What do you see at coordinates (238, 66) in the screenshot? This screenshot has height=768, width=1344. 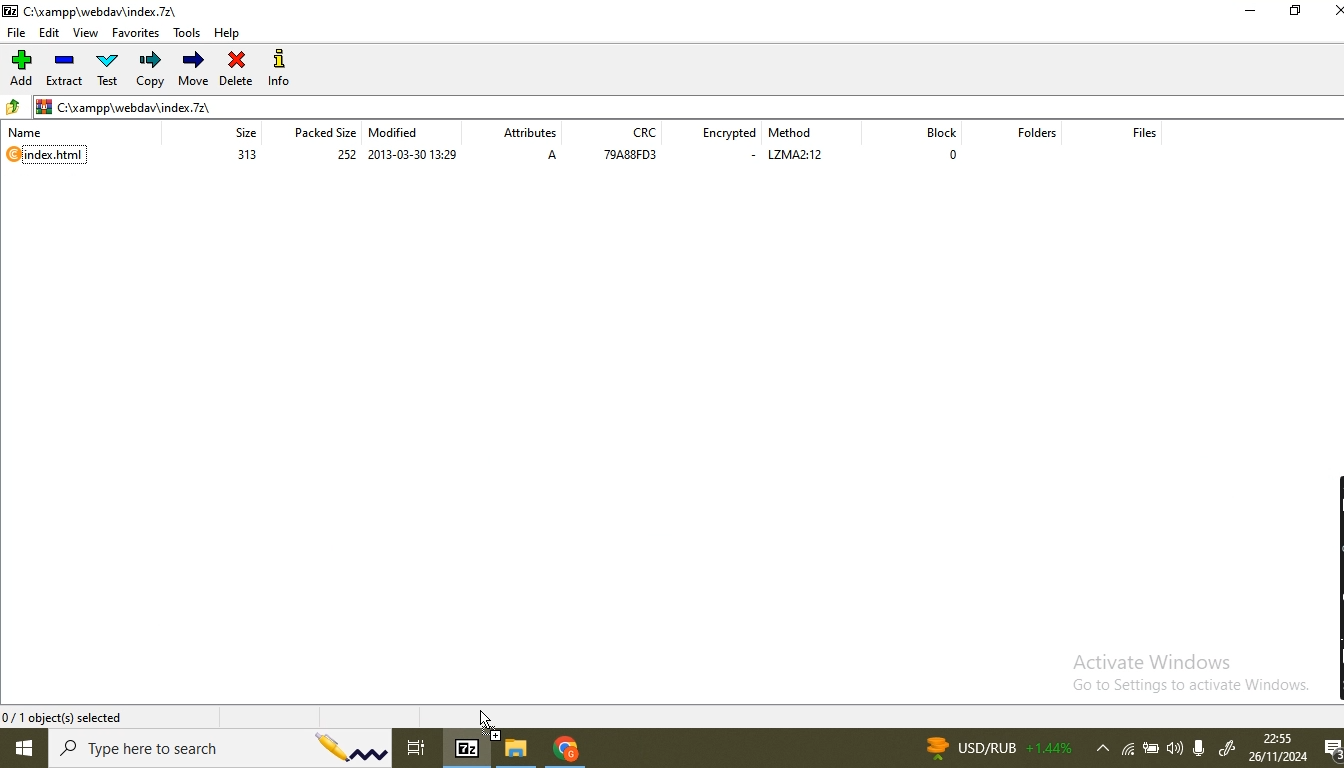 I see `delete` at bounding box center [238, 66].